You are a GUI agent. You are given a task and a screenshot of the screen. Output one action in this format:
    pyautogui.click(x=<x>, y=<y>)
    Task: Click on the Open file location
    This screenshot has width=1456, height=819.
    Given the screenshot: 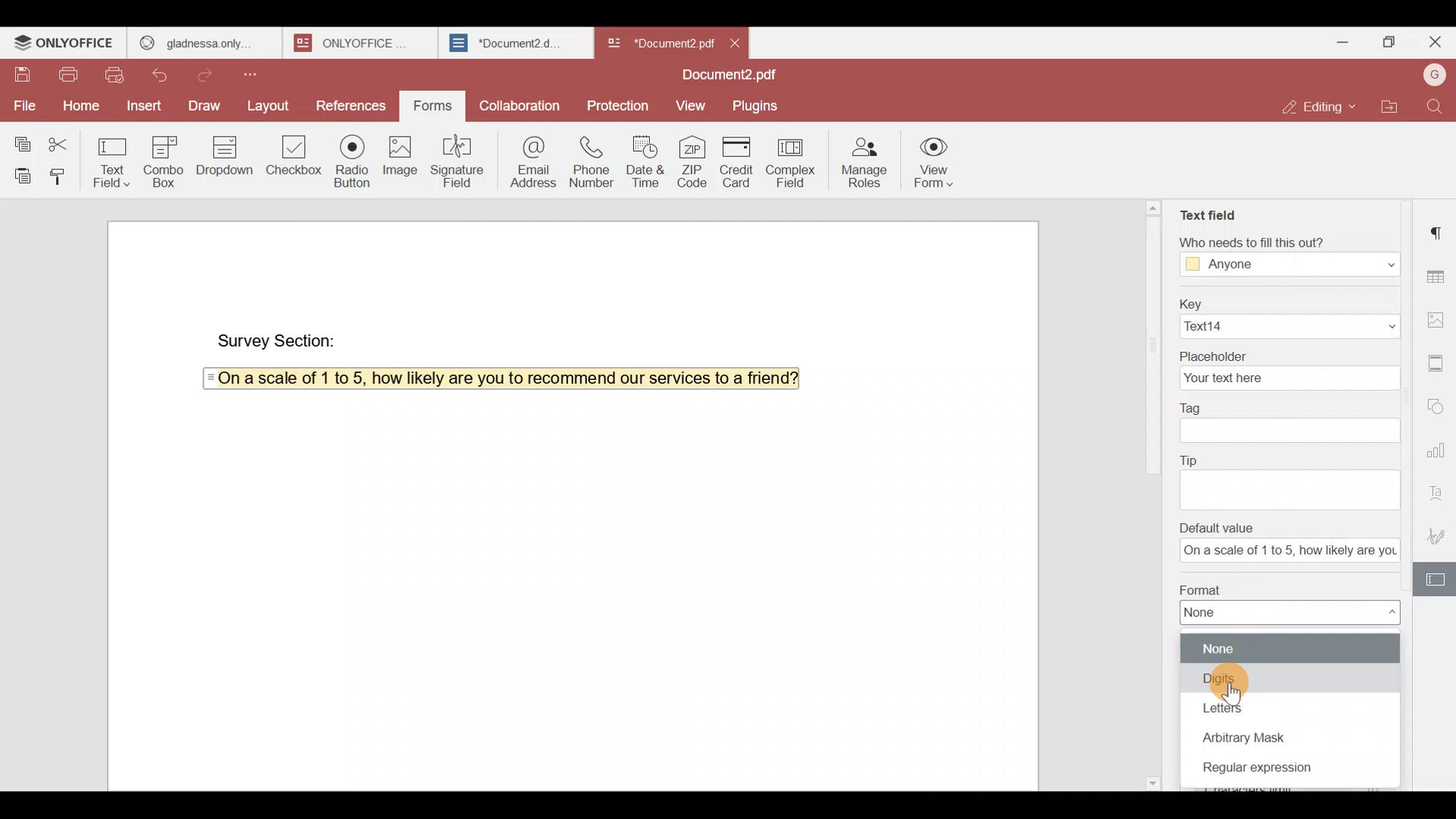 What is the action you would take?
    pyautogui.click(x=1396, y=108)
    